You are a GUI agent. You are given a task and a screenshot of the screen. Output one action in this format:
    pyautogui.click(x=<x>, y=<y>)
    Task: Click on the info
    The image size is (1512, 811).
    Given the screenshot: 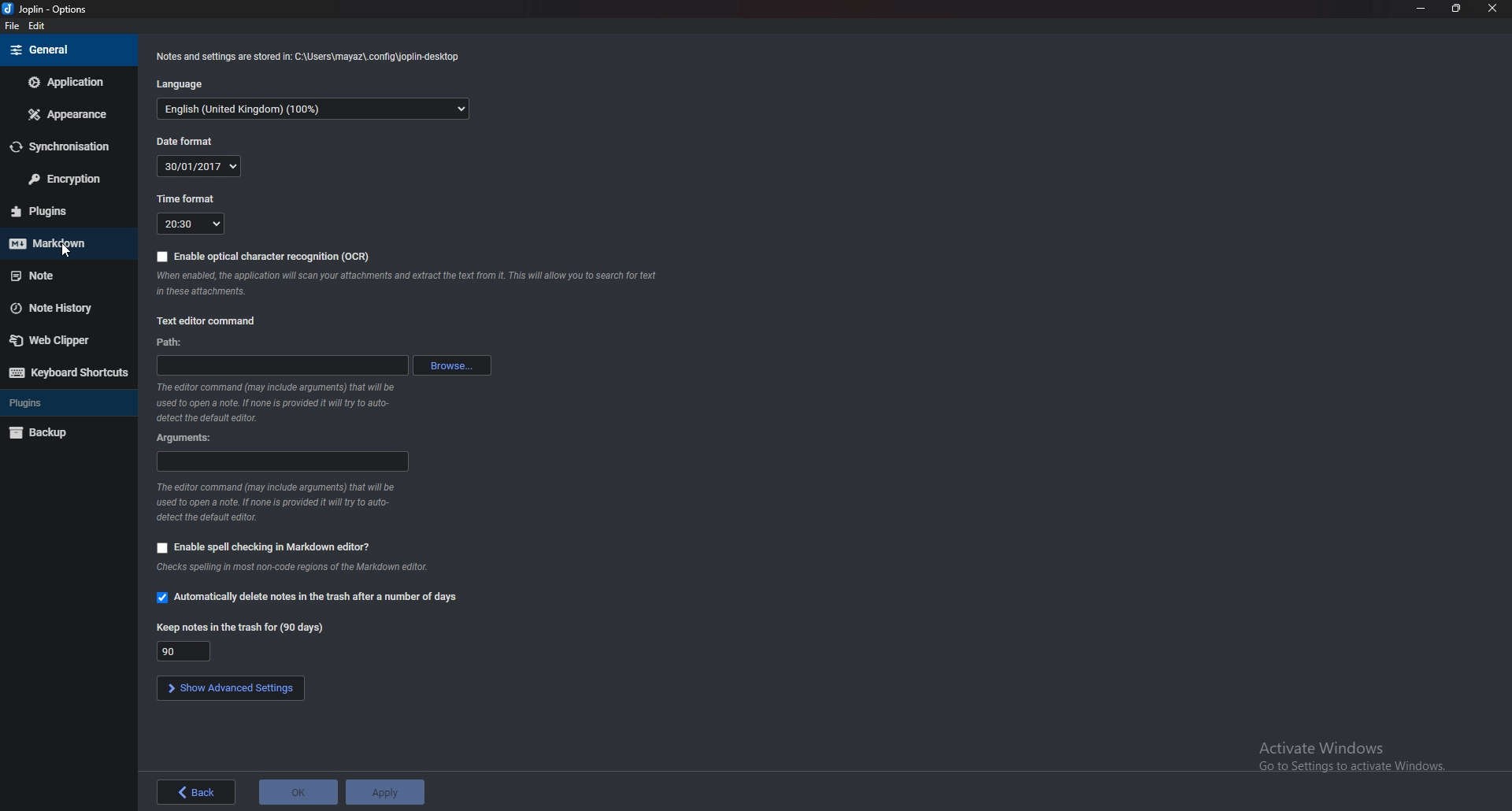 What is the action you would take?
    pyautogui.click(x=411, y=283)
    